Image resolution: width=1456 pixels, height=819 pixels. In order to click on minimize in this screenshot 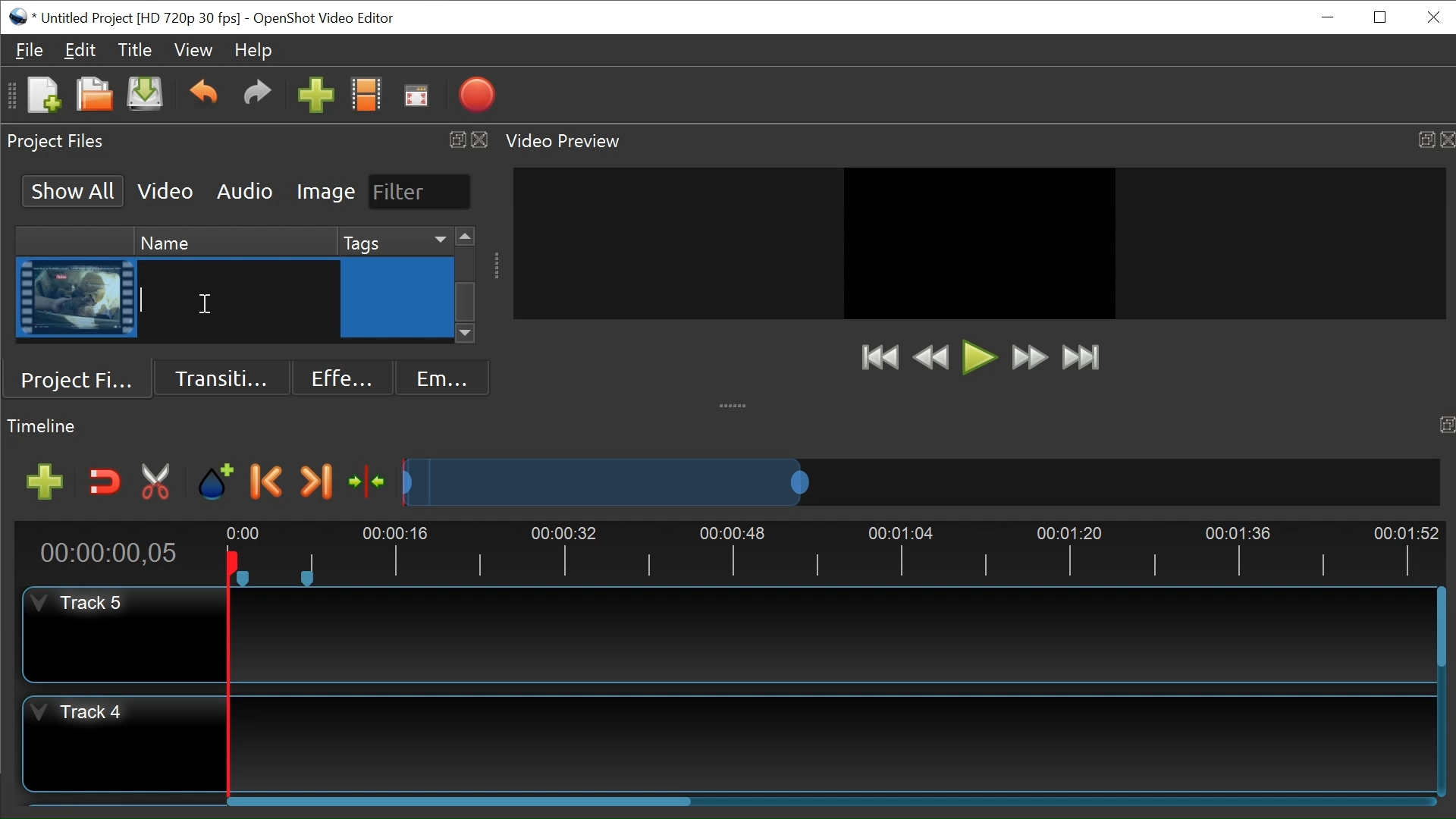, I will do `click(1329, 17)`.